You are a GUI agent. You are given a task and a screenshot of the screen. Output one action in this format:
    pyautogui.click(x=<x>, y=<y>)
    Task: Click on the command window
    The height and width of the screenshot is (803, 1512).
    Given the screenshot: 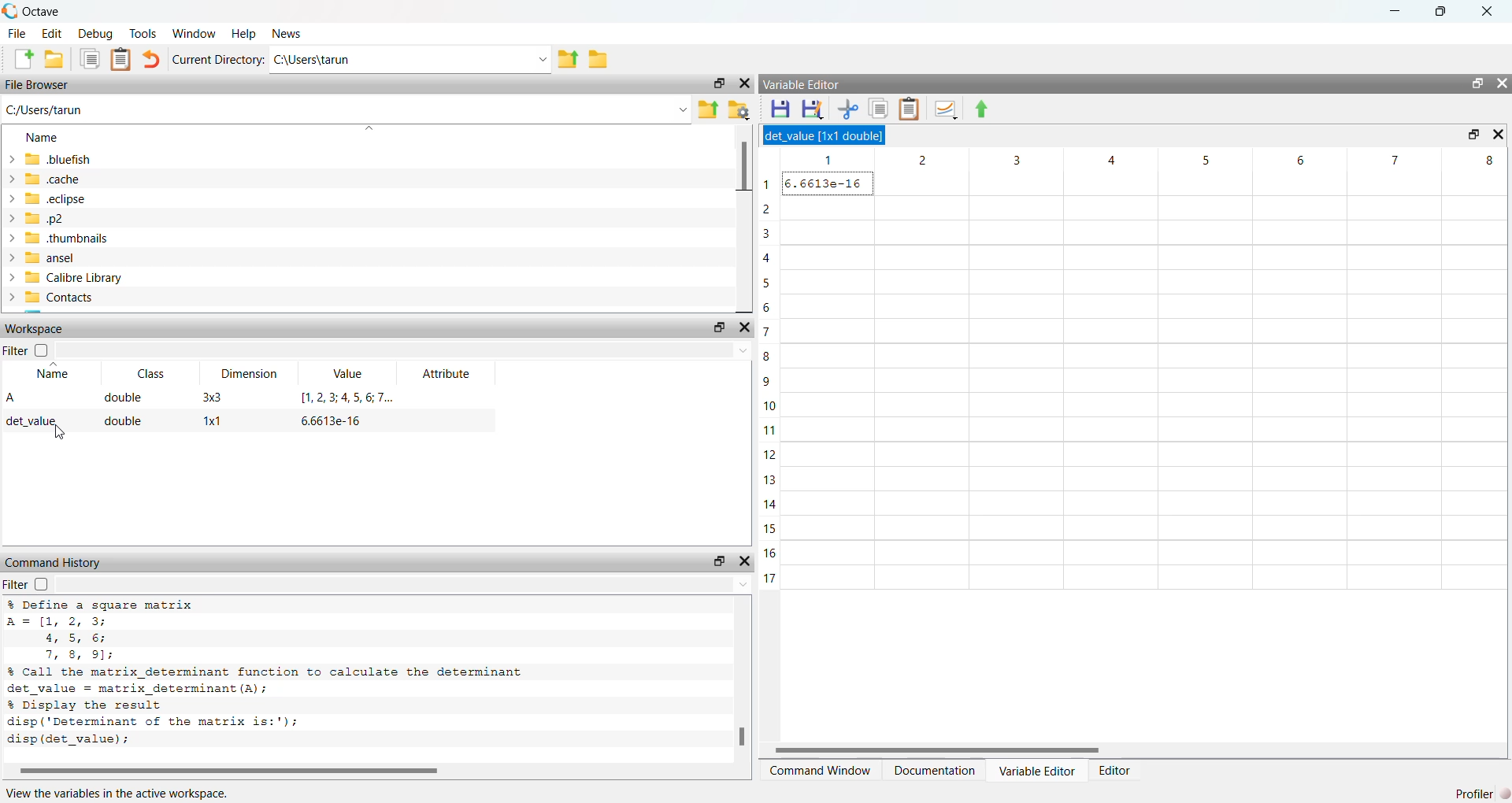 What is the action you would take?
    pyautogui.click(x=816, y=86)
    